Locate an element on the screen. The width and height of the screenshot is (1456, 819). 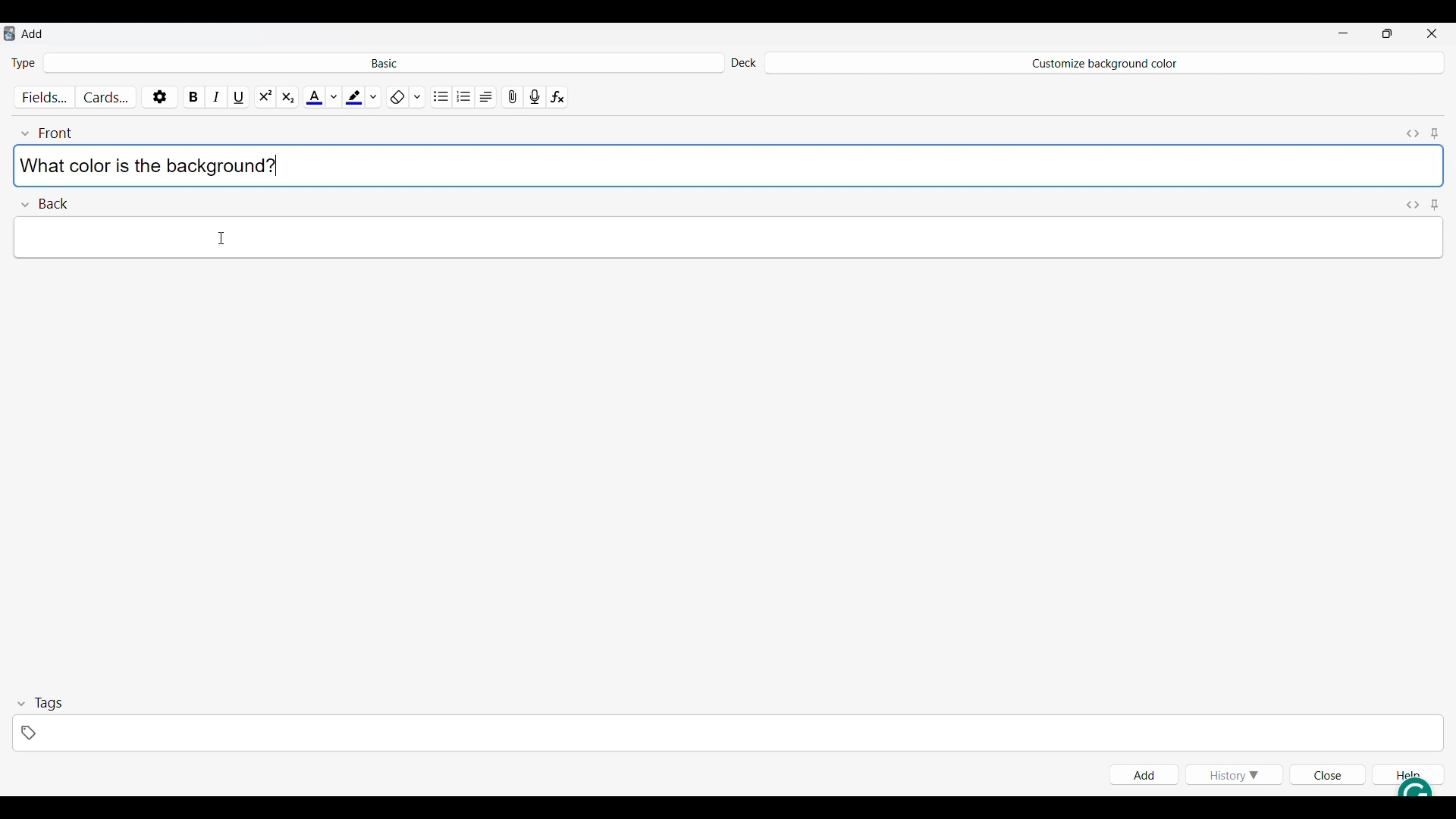
Italics is located at coordinates (217, 95).